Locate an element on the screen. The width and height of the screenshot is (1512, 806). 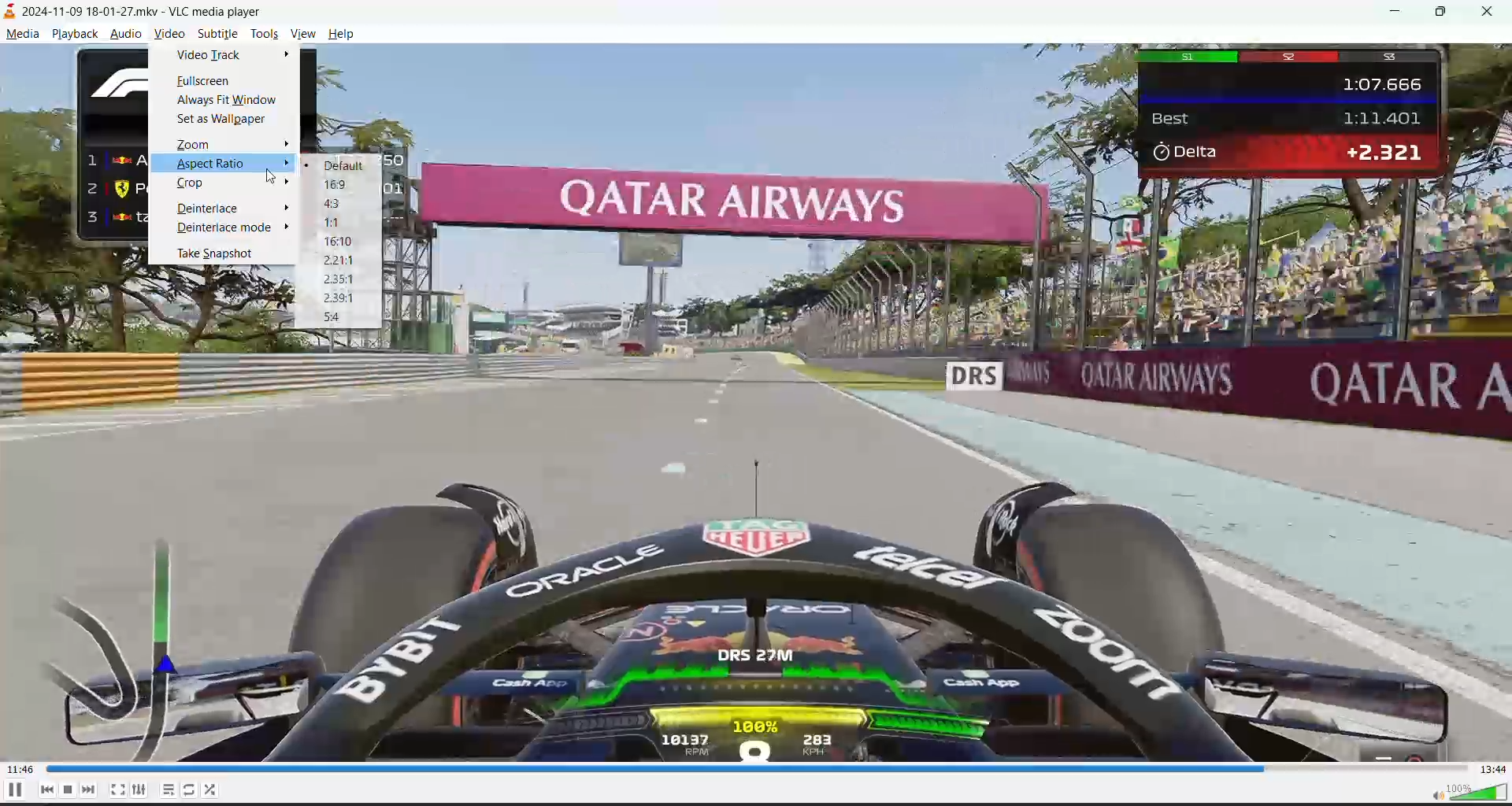
2.35:1 is located at coordinates (341, 279).